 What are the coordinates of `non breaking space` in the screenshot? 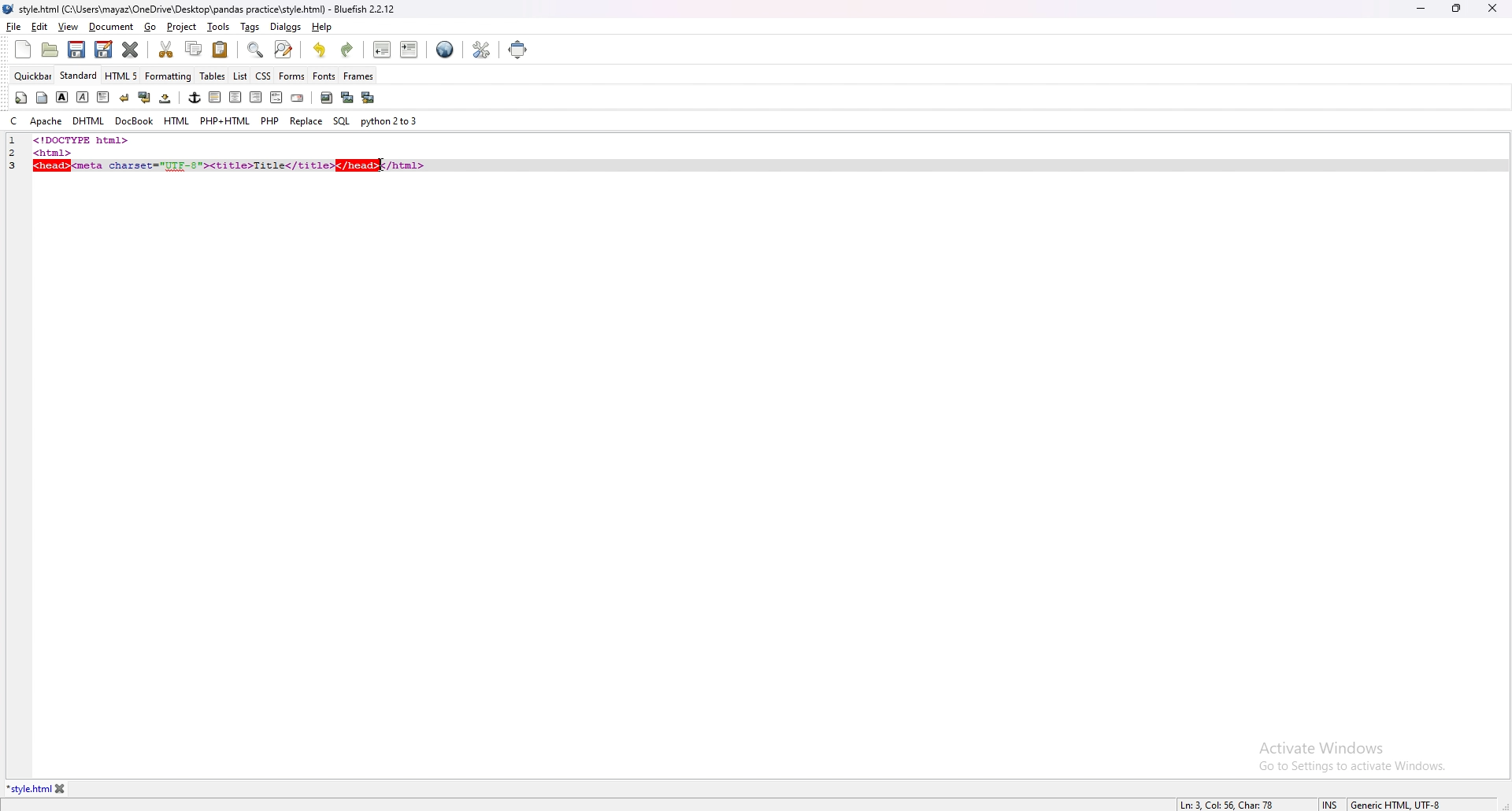 It's located at (166, 98).